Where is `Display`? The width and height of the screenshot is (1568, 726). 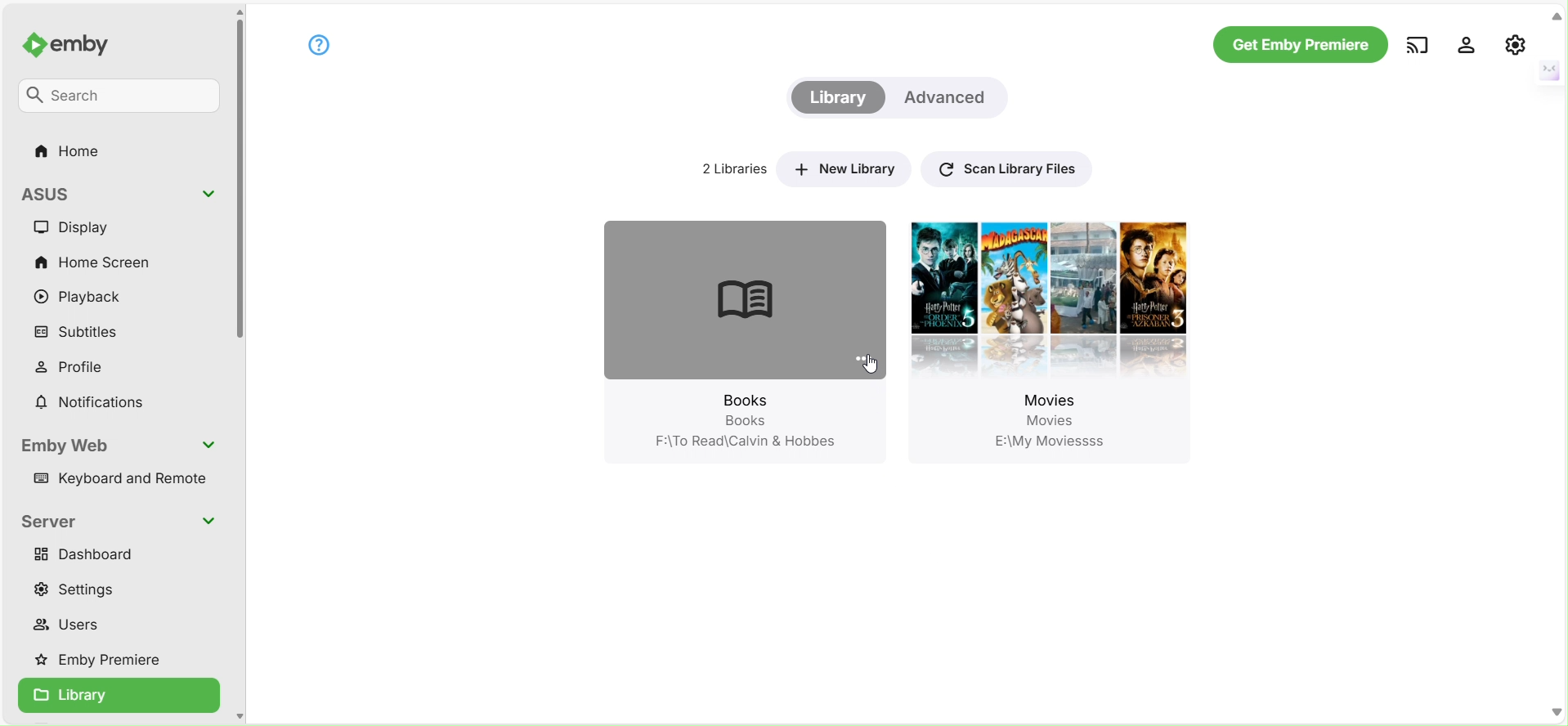
Display is located at coordinates (84, 227).